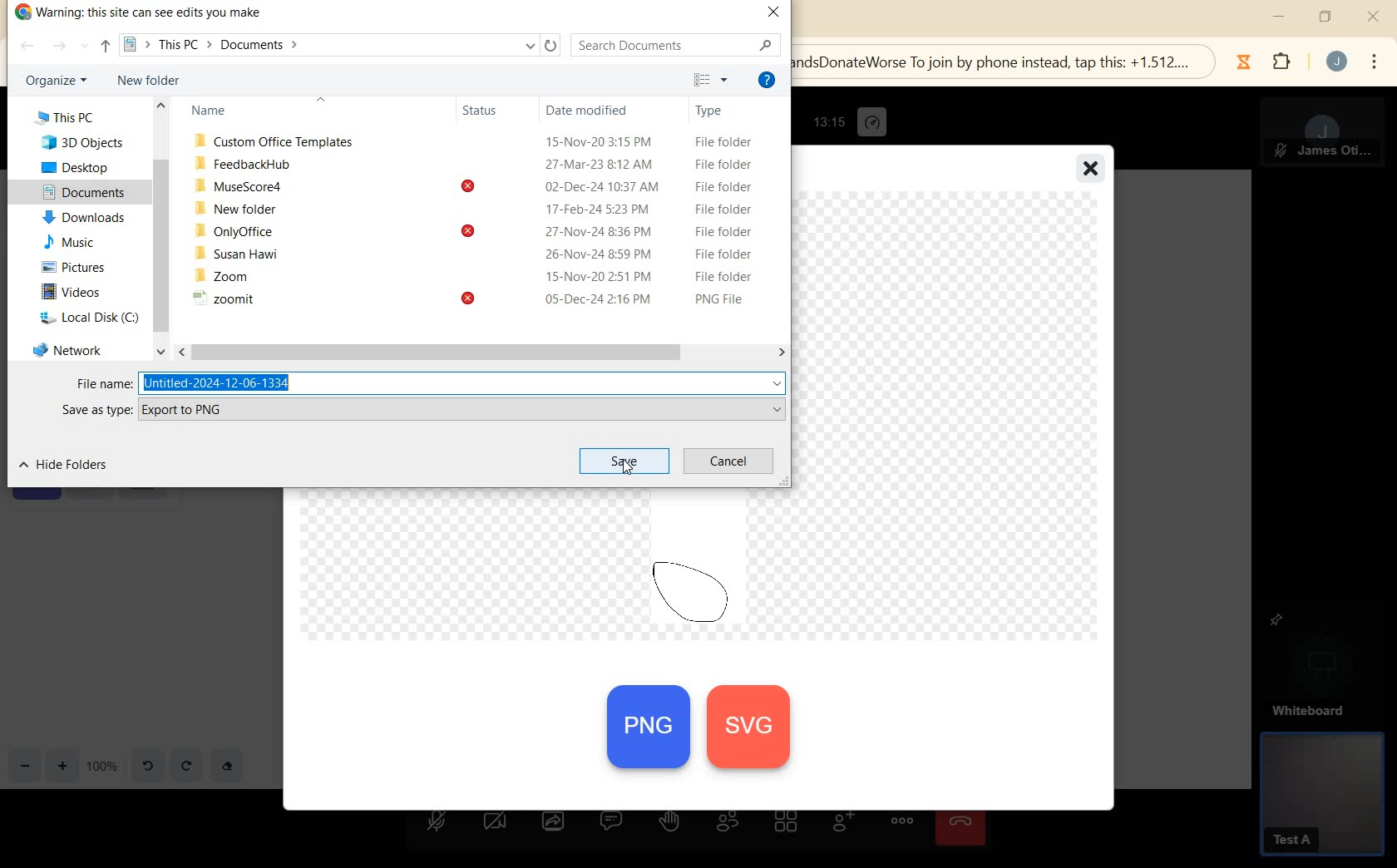 The height and width of the screenshot is (868, 1397). What do you see at coordinates (600, 298) in the screenshot?
I see `05-Dec-24 2:16 PM` at bounding box center [600, 298].